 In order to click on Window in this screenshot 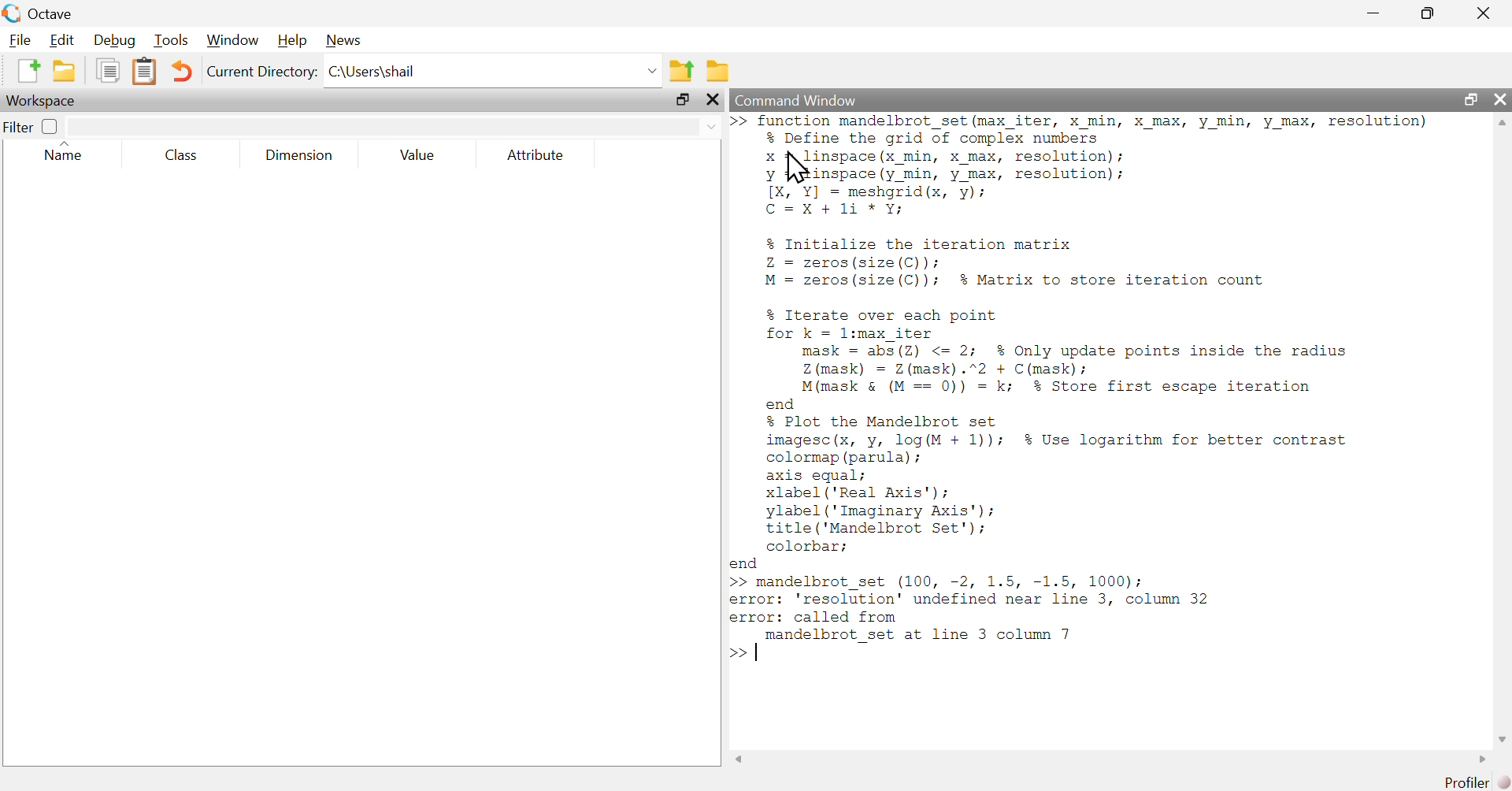, I will do `click(231, 41)`.